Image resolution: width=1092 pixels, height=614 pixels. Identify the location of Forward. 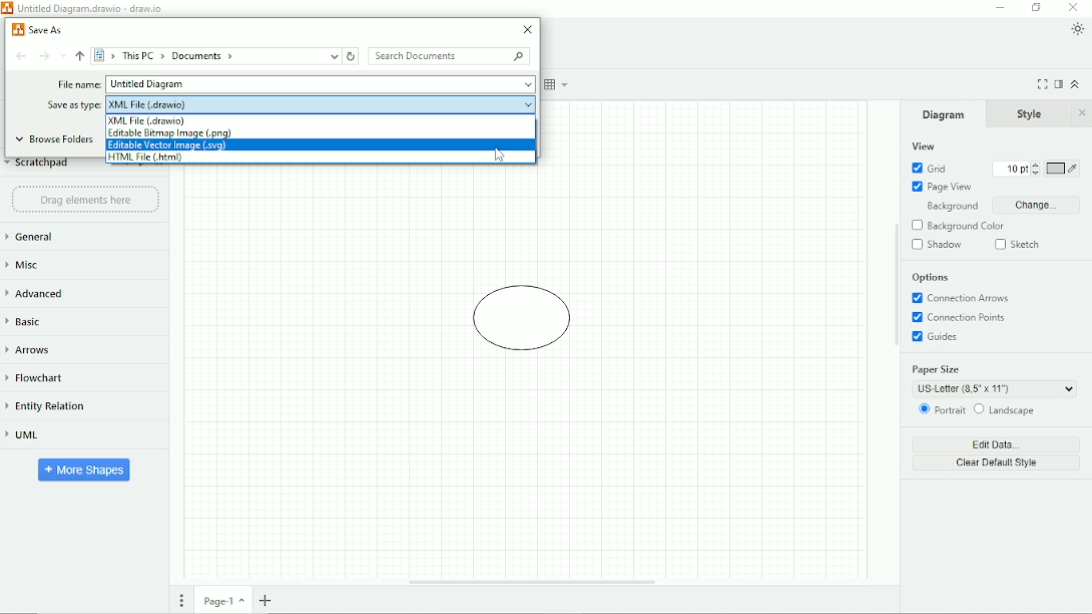
(44, 57).